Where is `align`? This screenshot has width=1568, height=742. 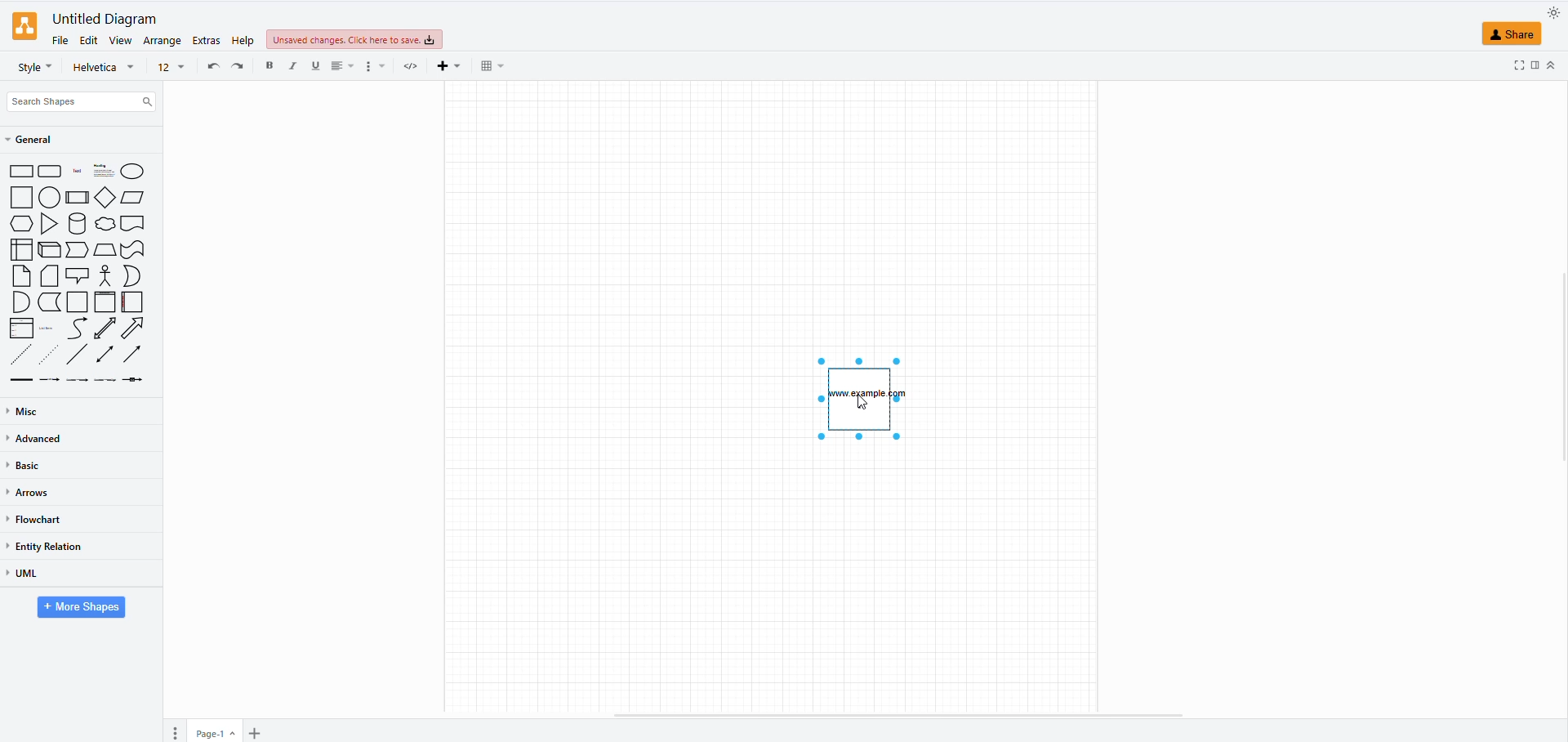 align is located at coordinates (342, 66).